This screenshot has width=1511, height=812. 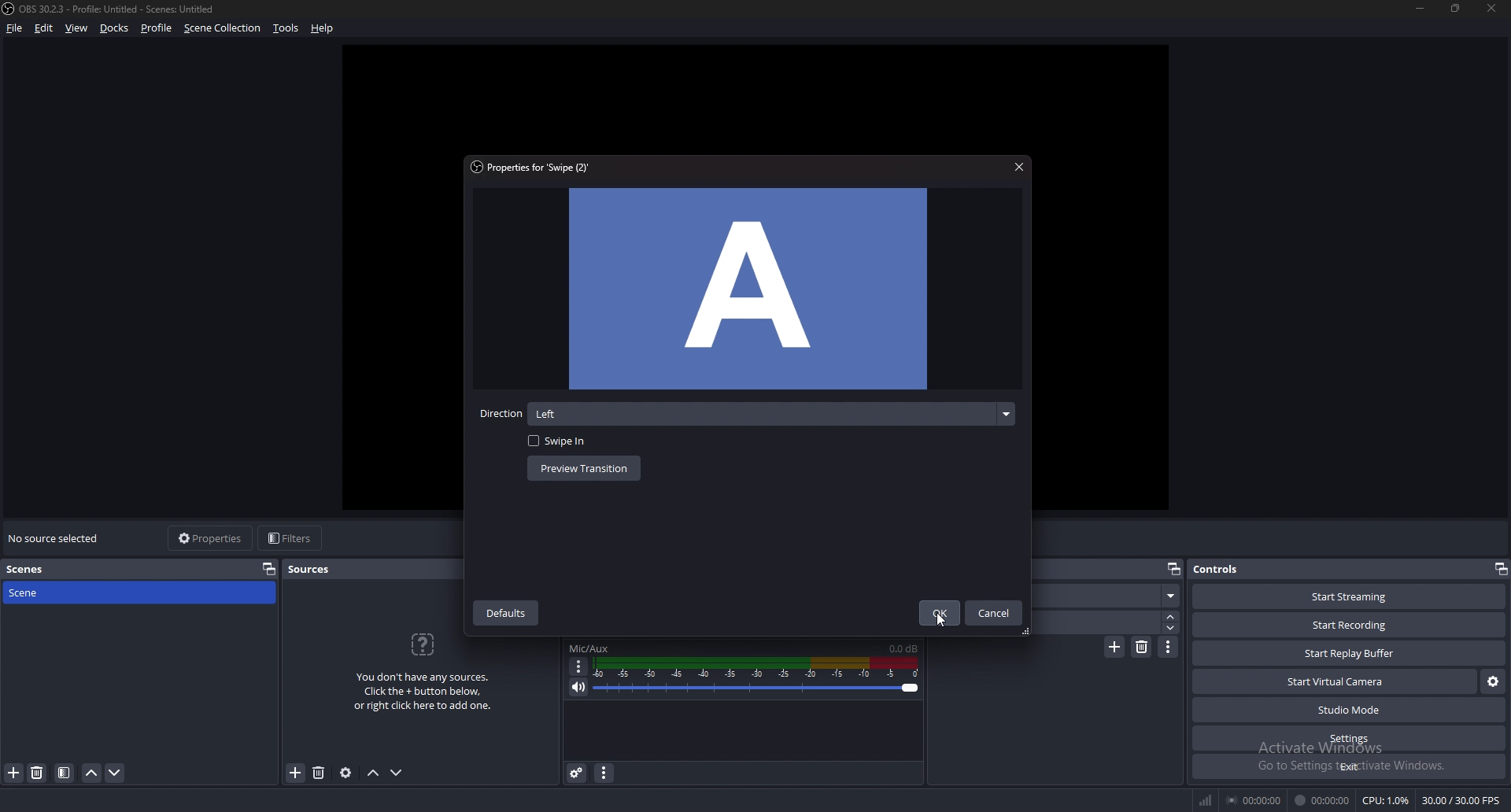 I want to click on move scene up, so click(x=91, y=773).